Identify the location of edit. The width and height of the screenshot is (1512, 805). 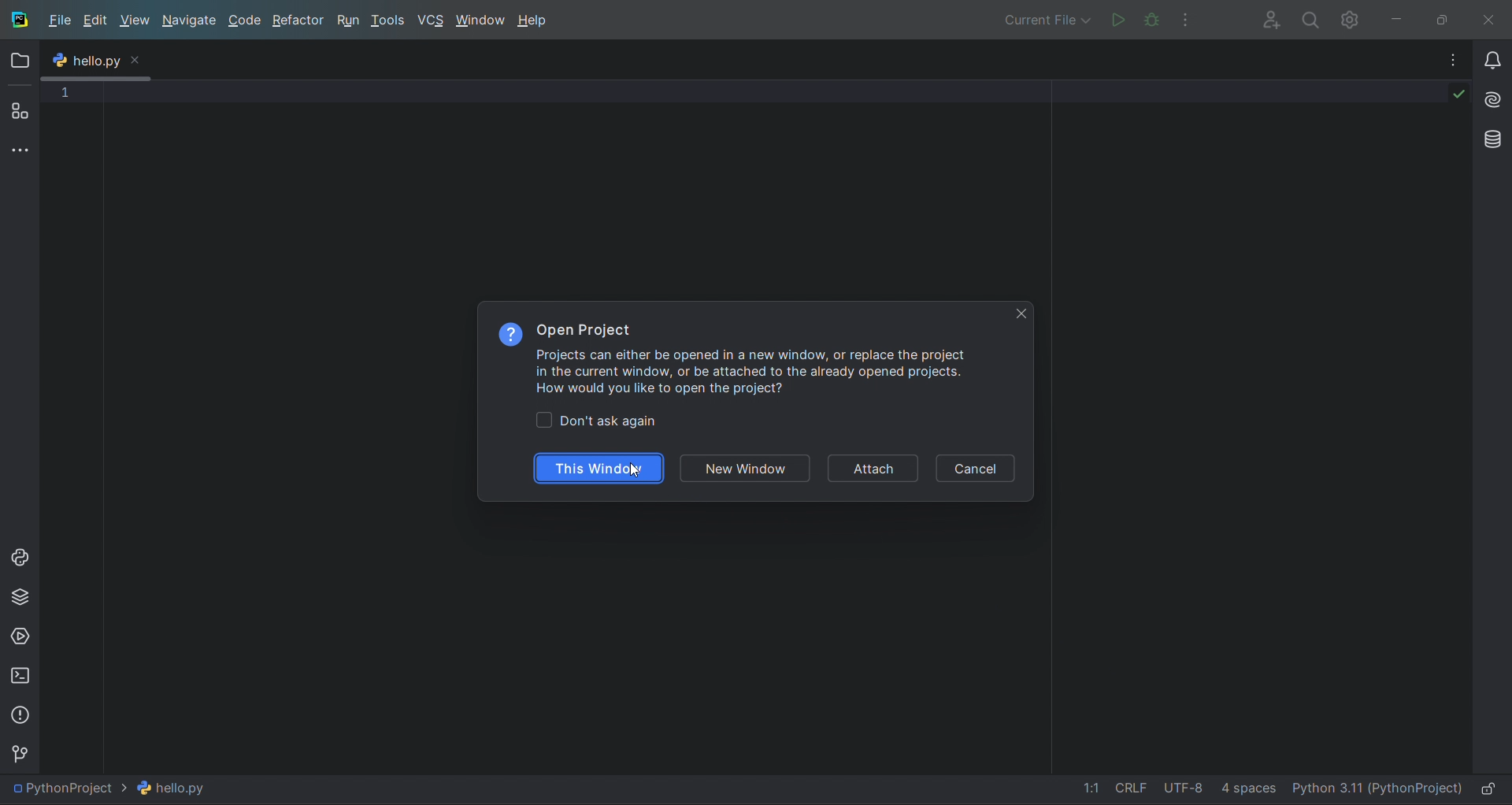
(98, 23).